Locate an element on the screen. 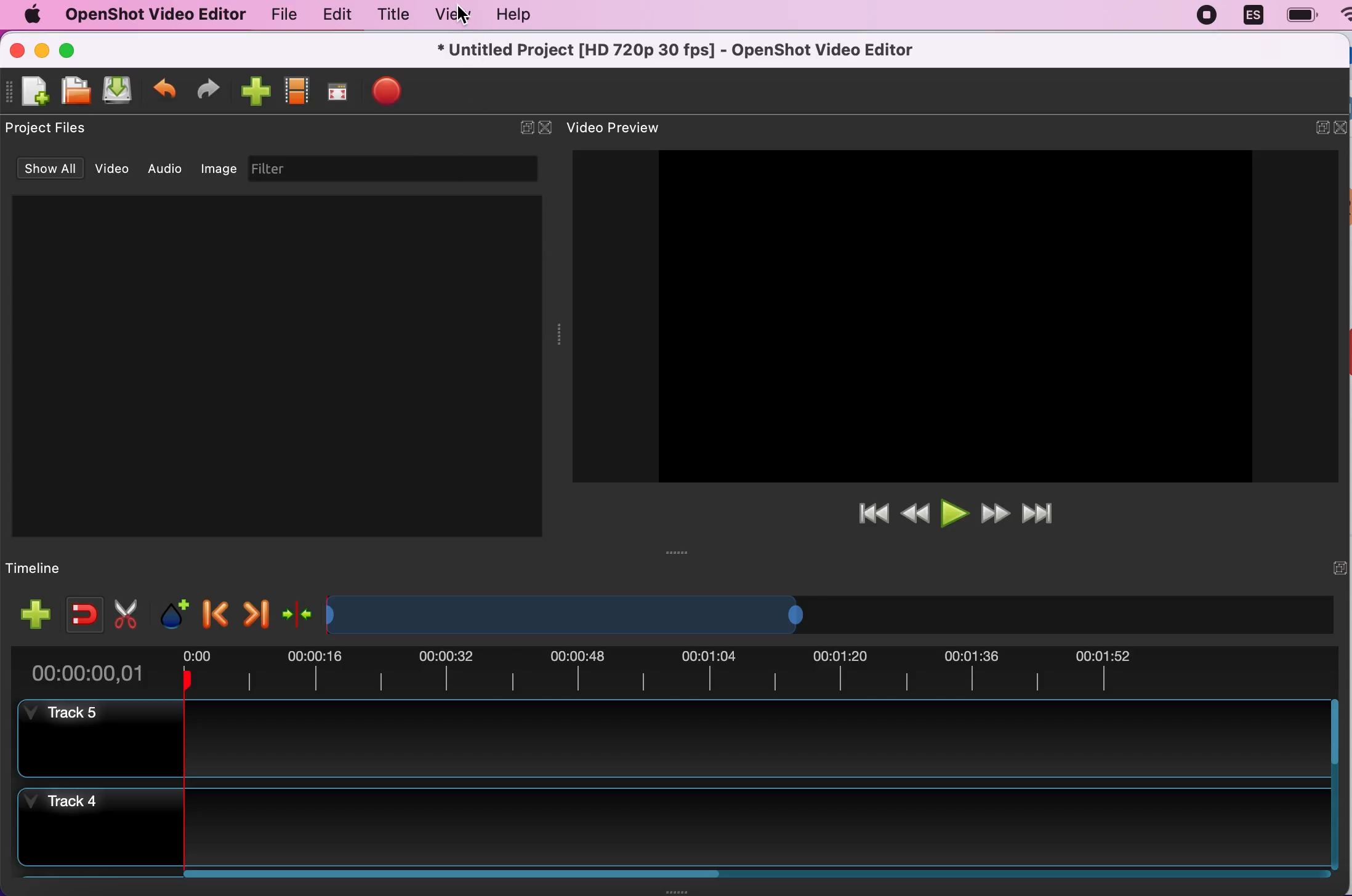 The height and width of the screenshot is (896, 1352). add marker is located at coordinates (172, 610).